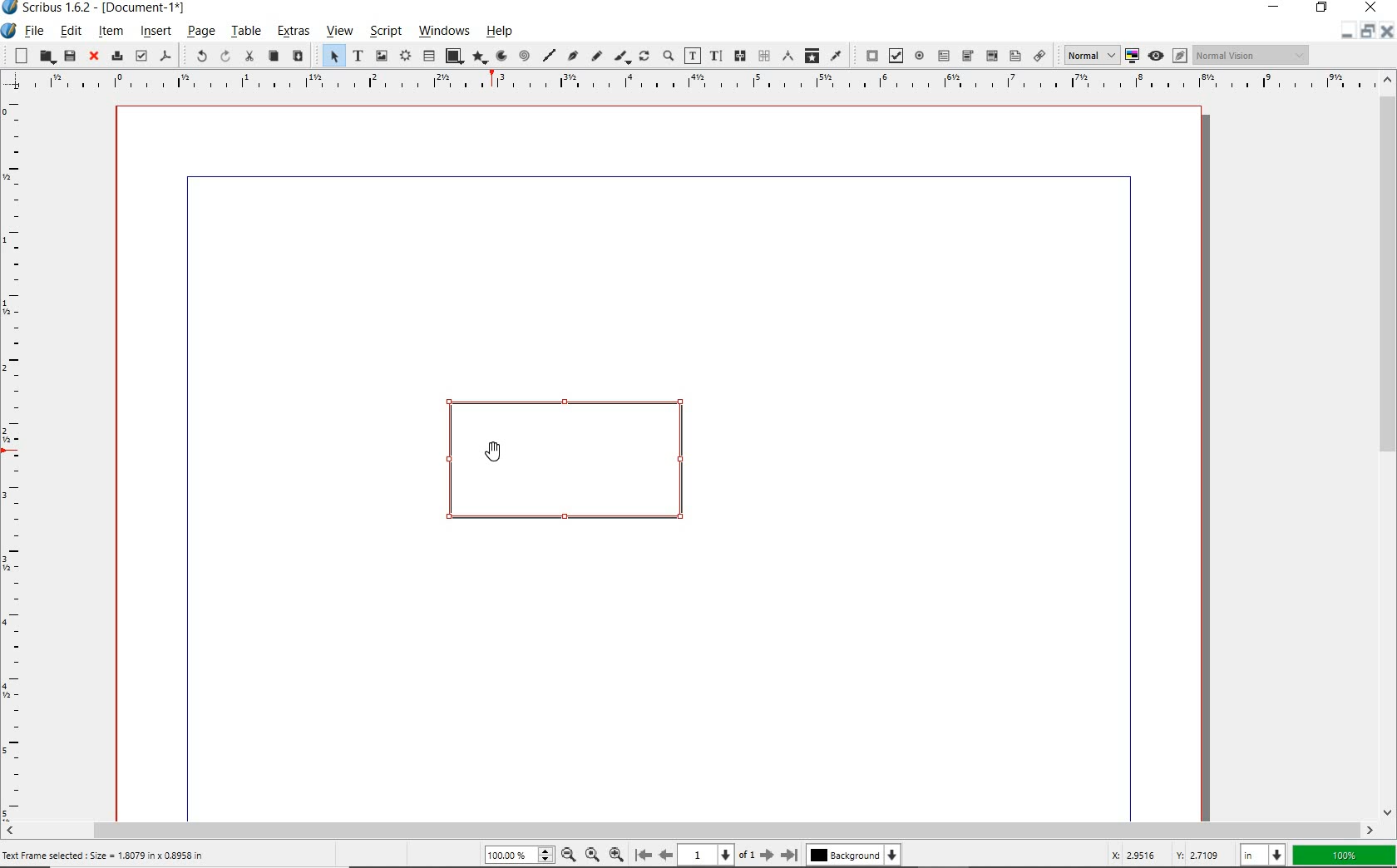 Image resolution: width=1397 pixels, height=868 pixels. Describe the element at coordinates (1263, 856) in the screenshot. I see `select unit: in` at that location.